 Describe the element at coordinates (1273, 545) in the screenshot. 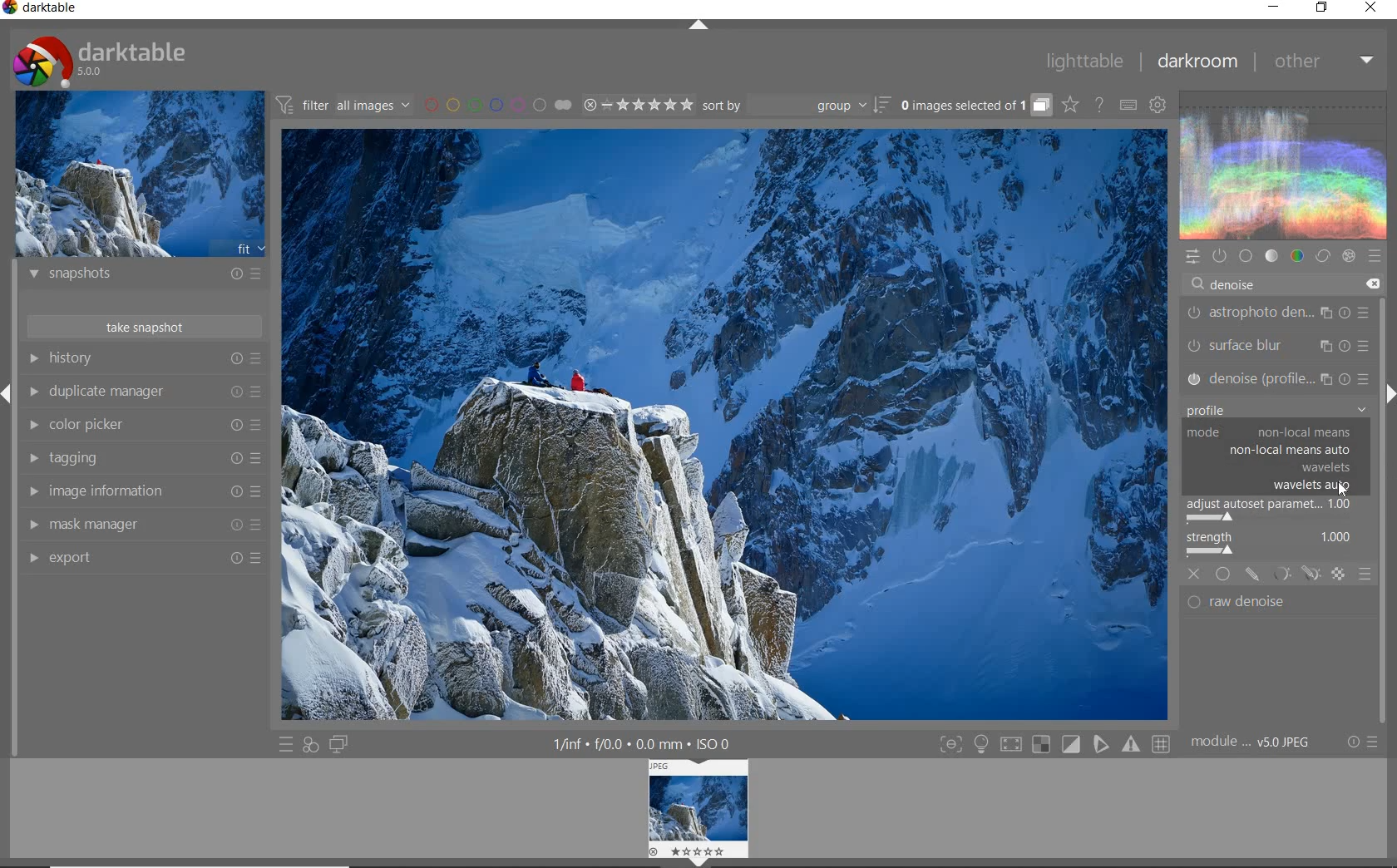

I see `strength` at that location.